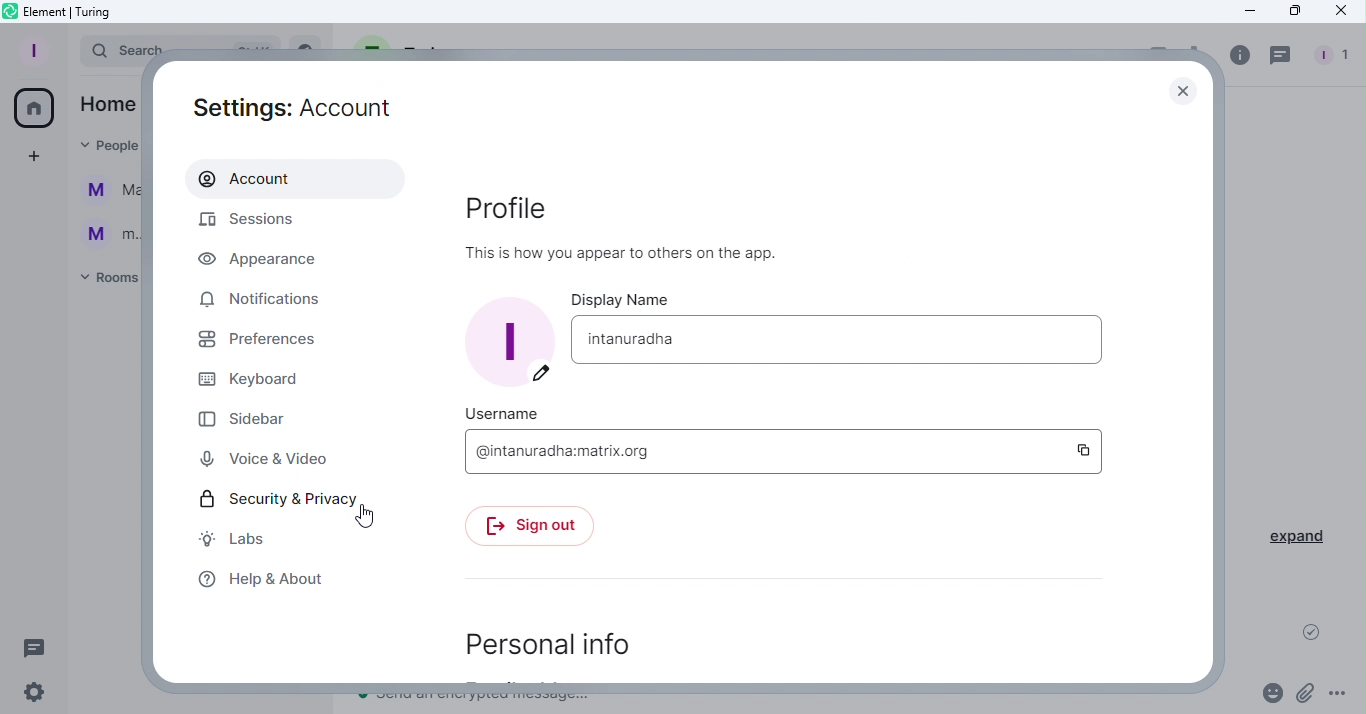  I want to click on More options, so click(1340, 696).